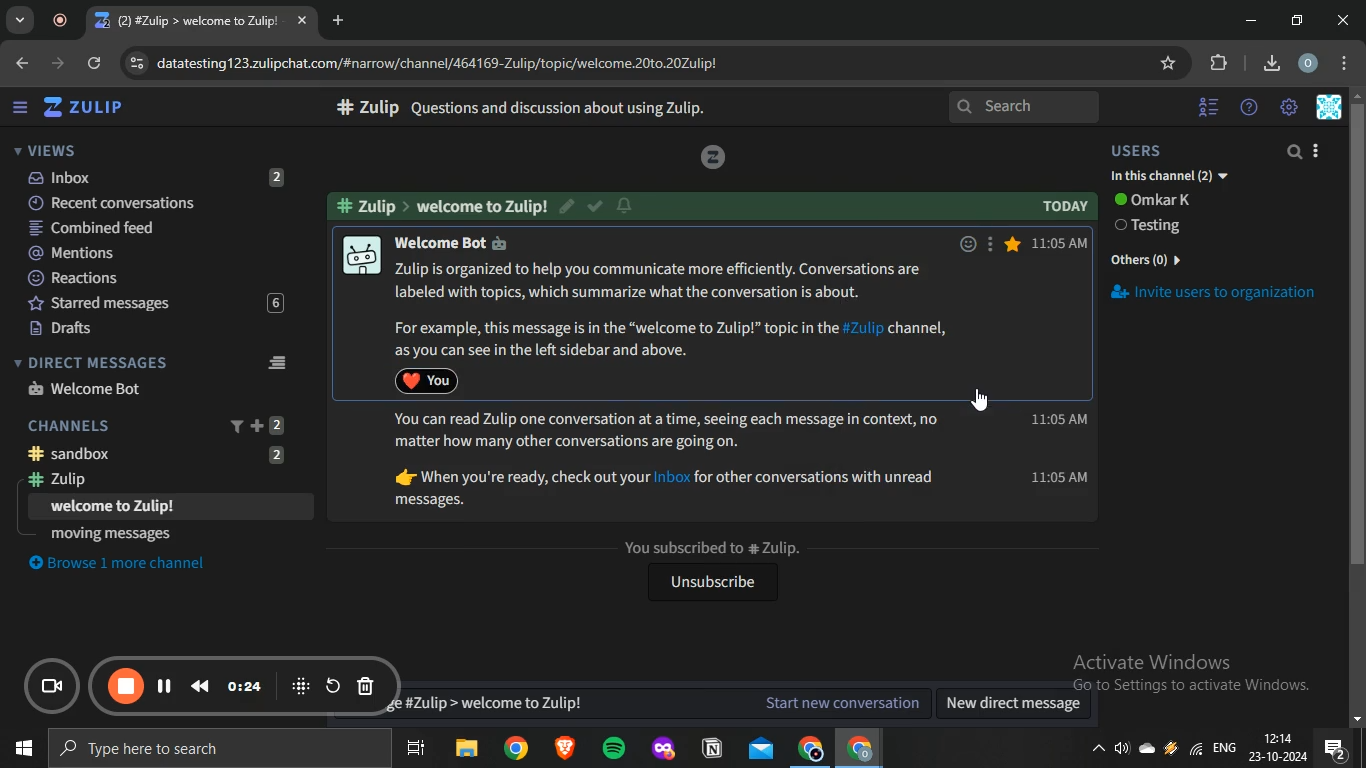  What do you see at coordinates (55, 688) in the screenshot?
I see `icon` at bounding box center [55, 688].